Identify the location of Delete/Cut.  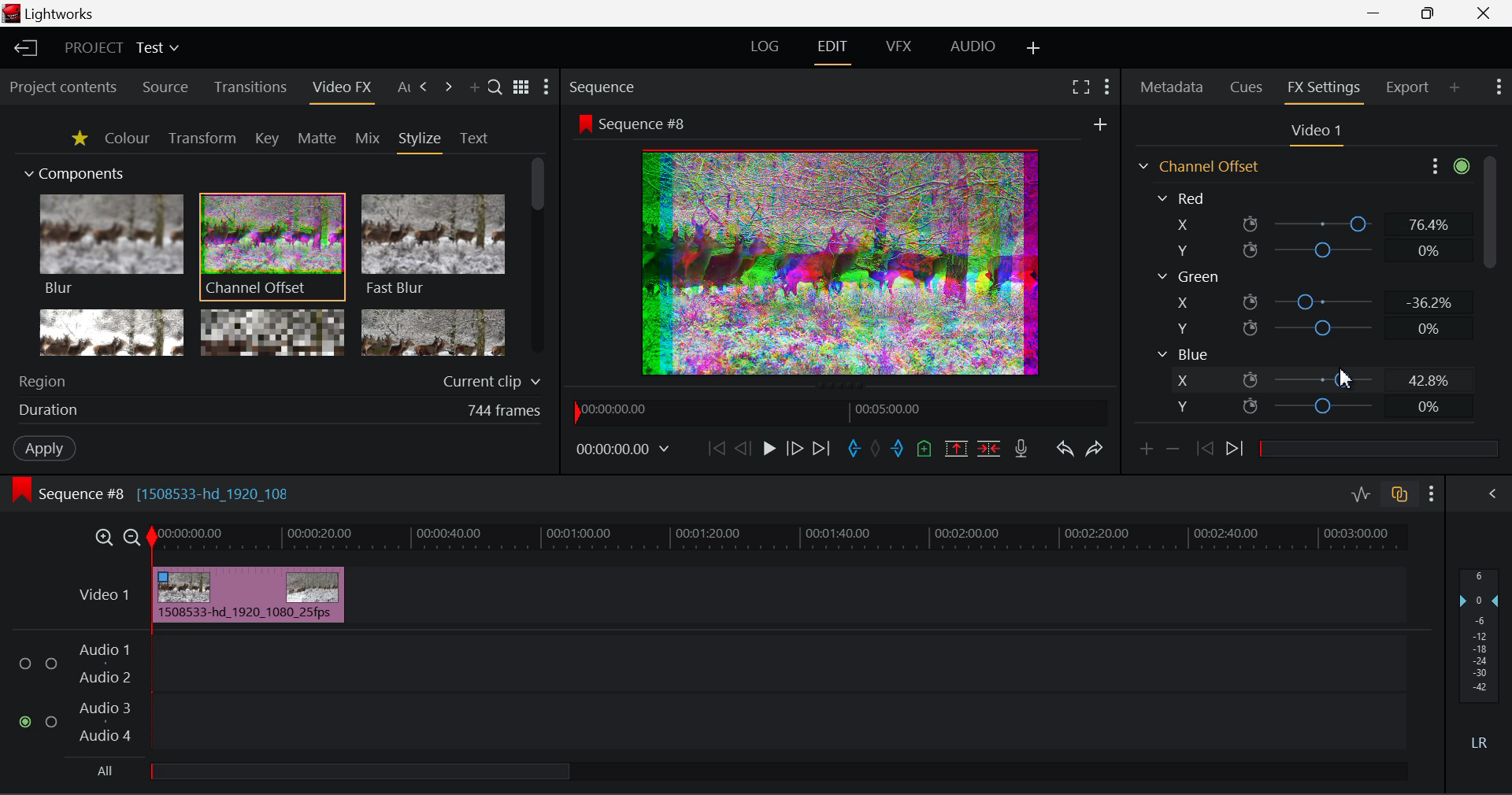
(991, 449).